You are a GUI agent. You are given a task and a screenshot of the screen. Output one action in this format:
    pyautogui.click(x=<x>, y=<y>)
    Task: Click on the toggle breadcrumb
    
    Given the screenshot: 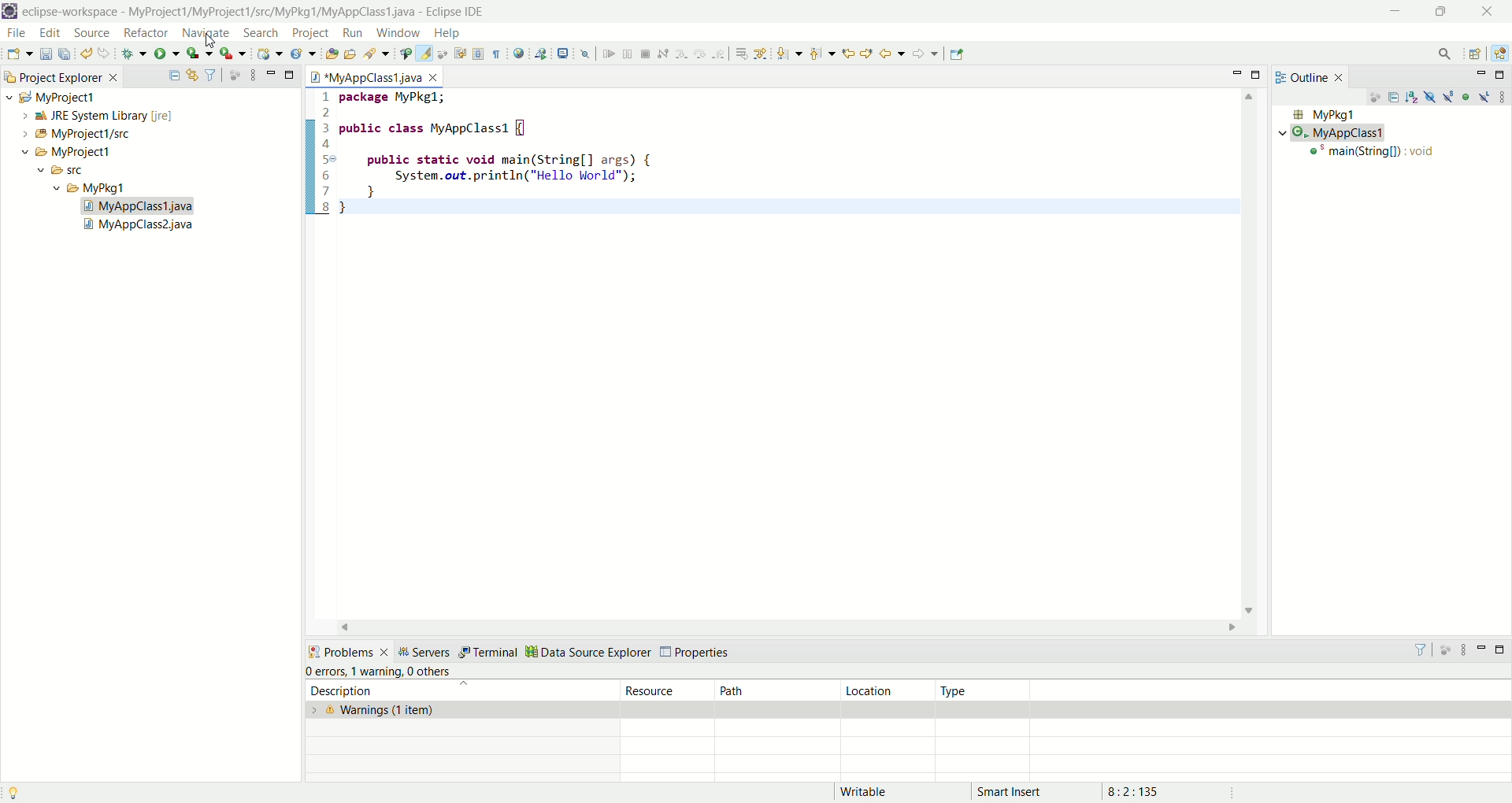 What is the action you would take?
    pyautogui.click(x=404, y=54)
    